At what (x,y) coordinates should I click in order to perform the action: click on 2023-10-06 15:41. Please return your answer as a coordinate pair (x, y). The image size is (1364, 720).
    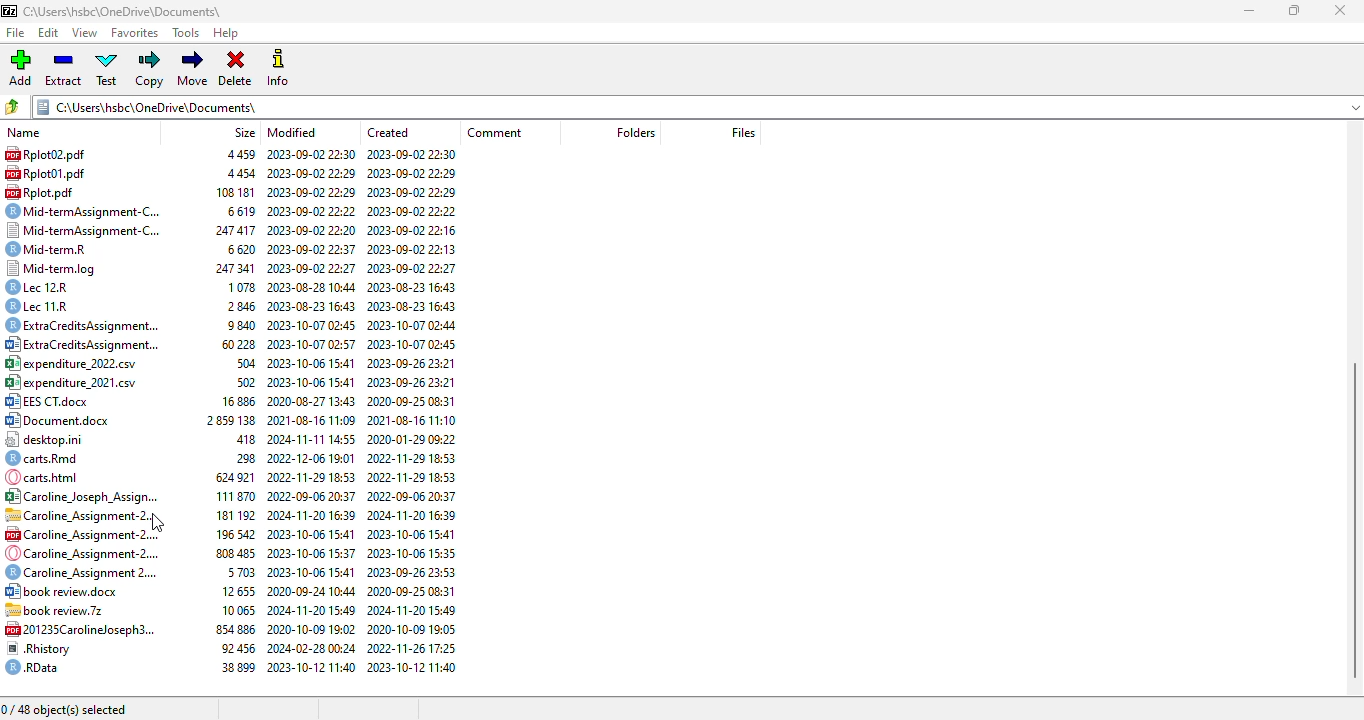
    Looking at the image, I should click on (313, 382).